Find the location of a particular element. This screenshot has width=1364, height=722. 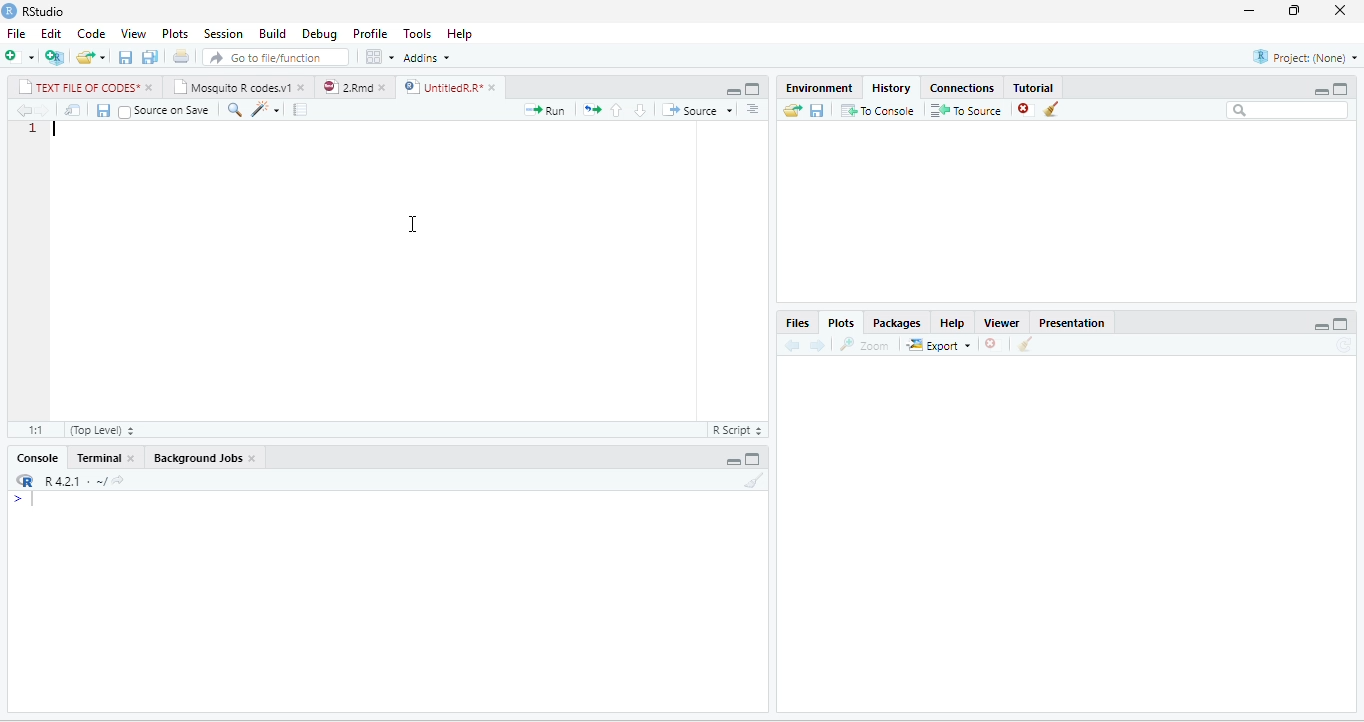

minimize is located at coordinates (1321, 91).